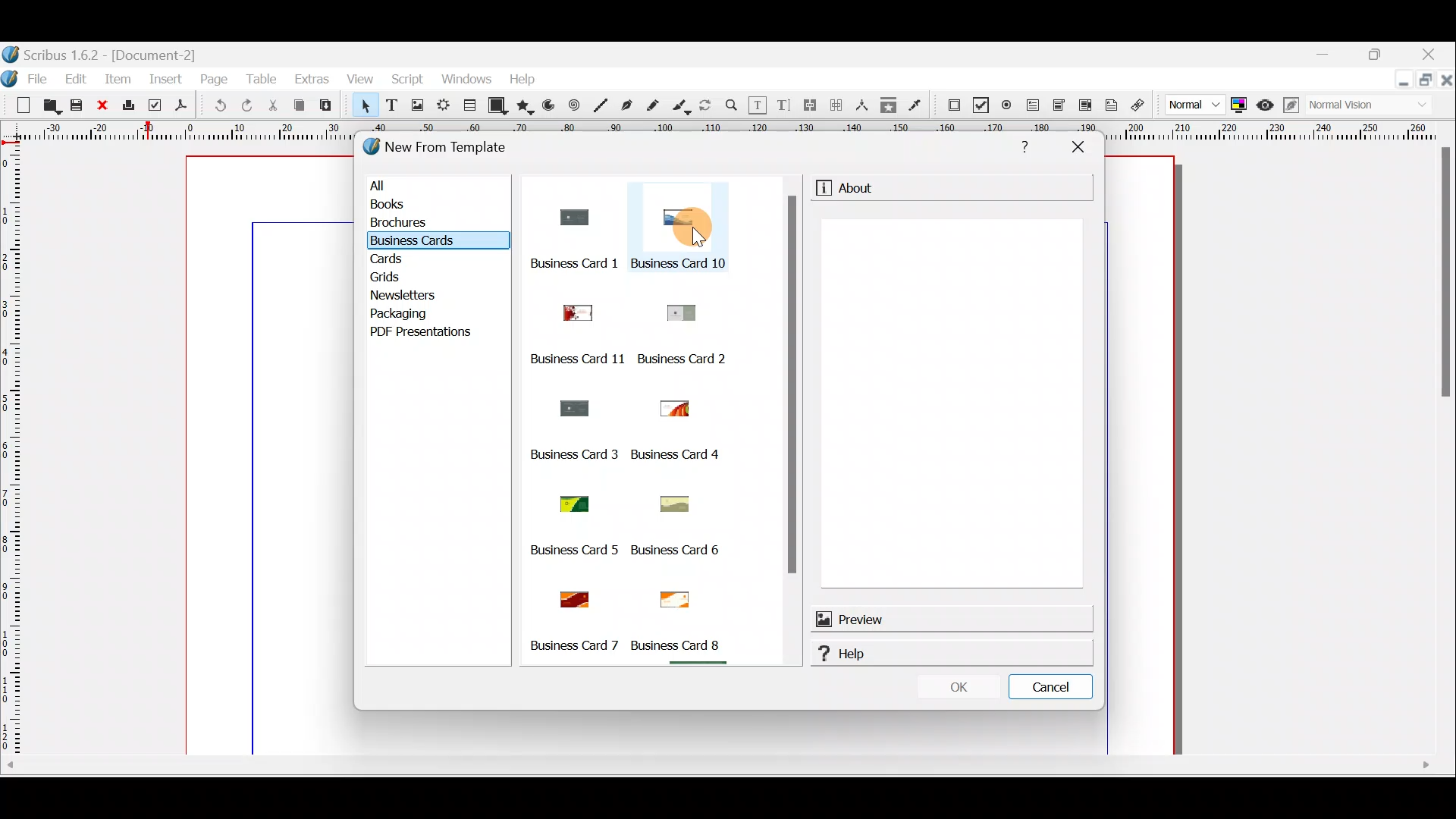 The width and height of the screenshot is (1456, 819). Describe the element at coordinates (1436, 52) in the screenshot. I see `Close` at that location.